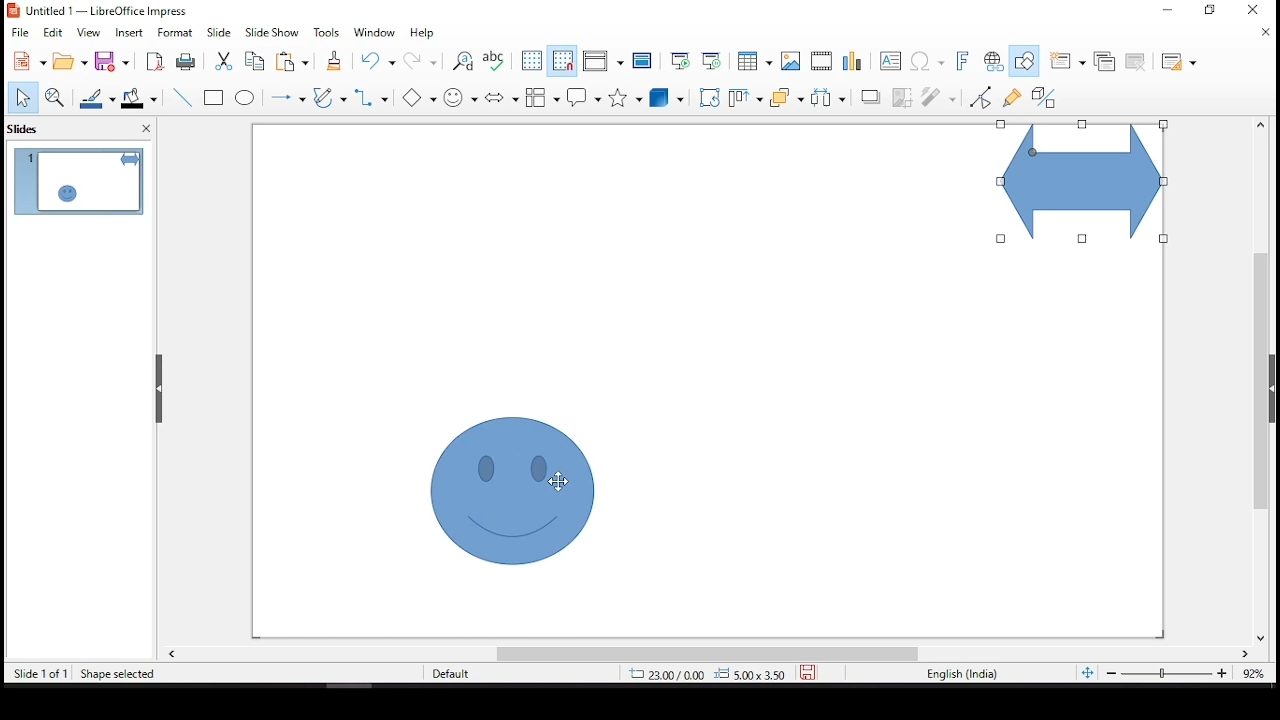  I want to click on default, so click(468, 674).